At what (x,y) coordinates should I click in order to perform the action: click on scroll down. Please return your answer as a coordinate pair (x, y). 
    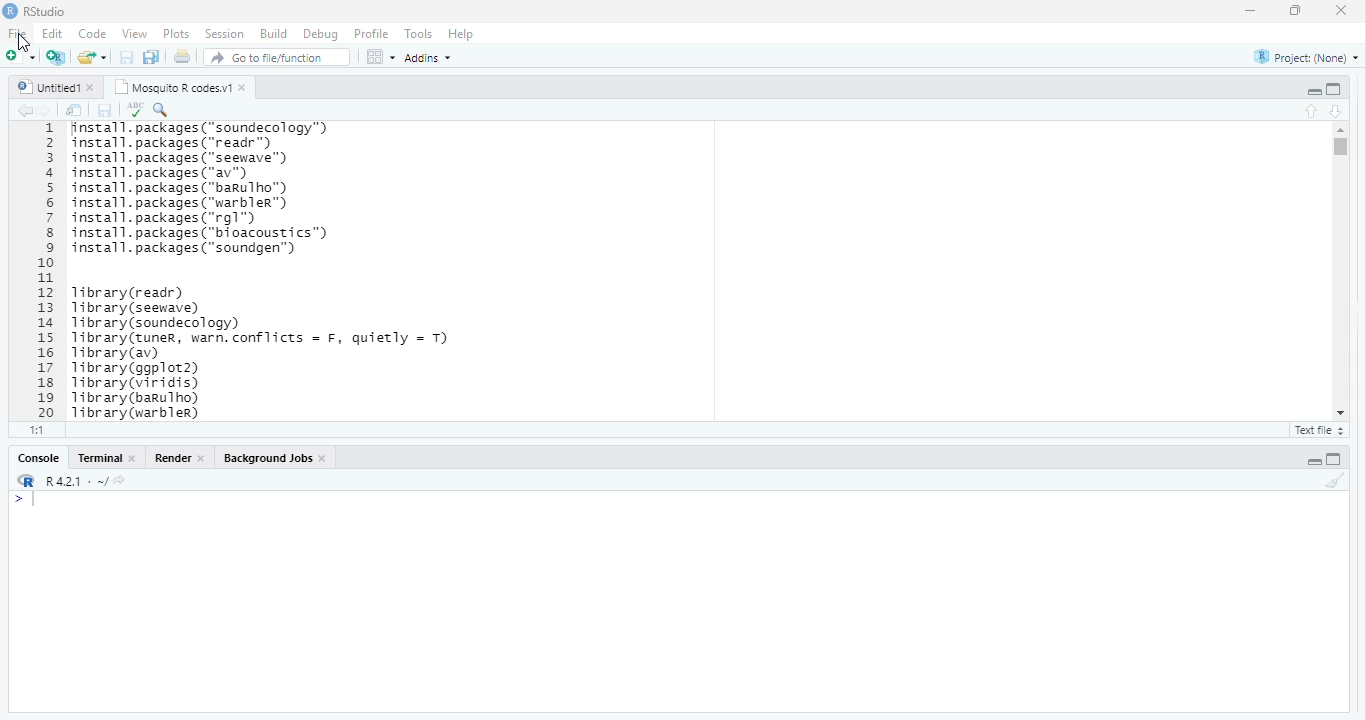
    Looking at the image, I should click on (1342, 413).